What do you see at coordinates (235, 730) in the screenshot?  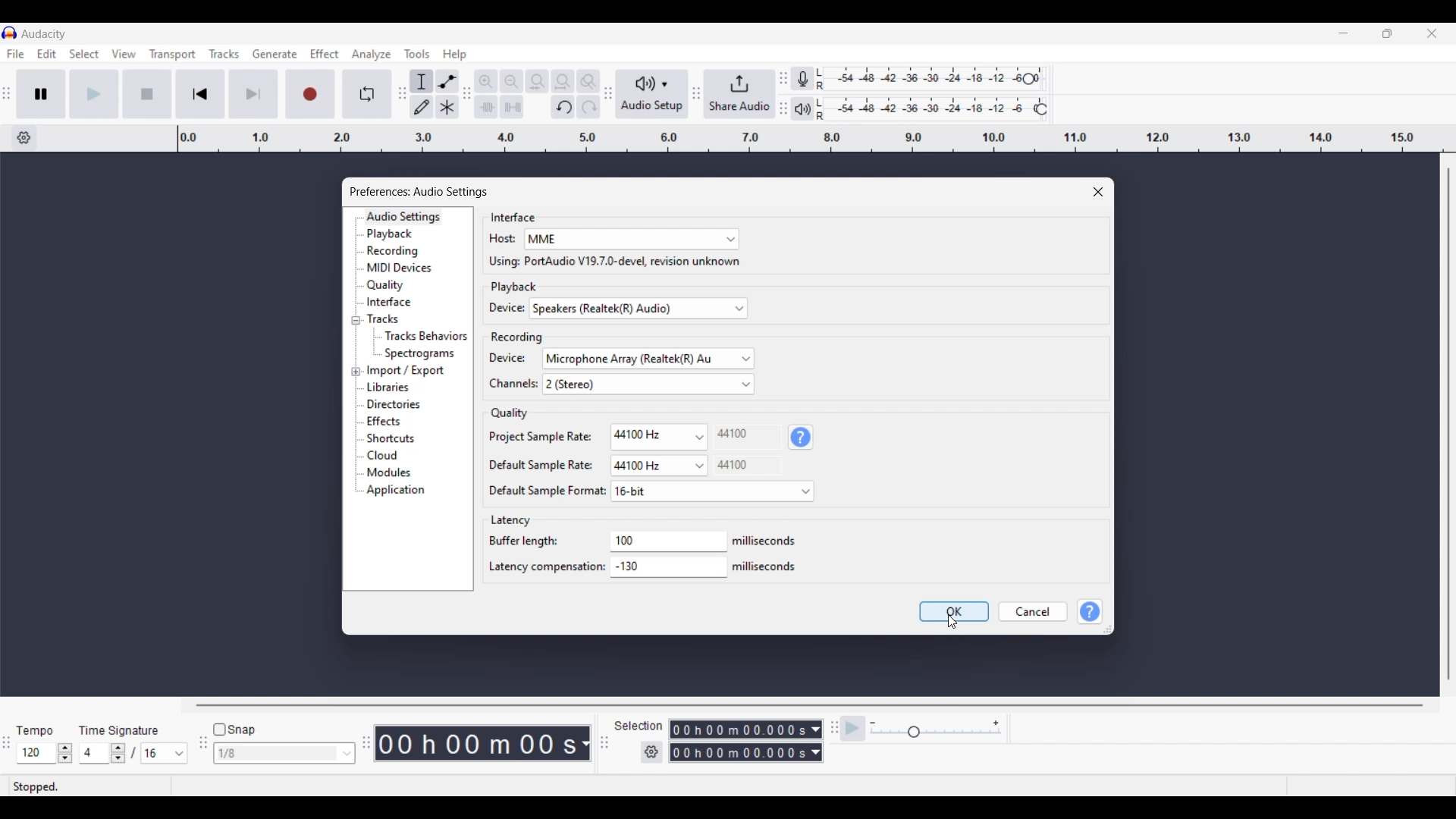 I see `Snap toggle` at bounding box center [235, 730].